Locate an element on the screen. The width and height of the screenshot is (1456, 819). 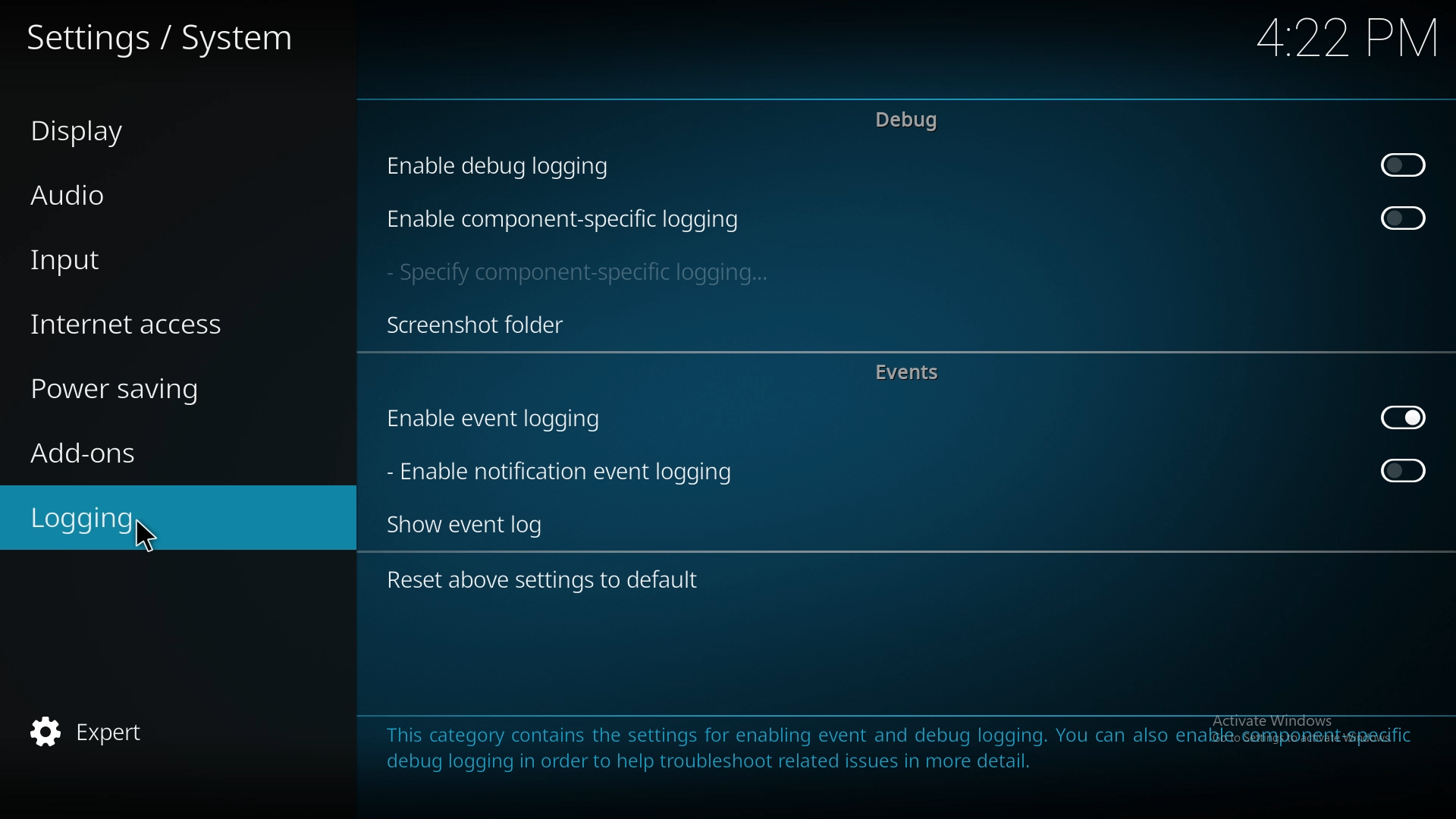
internet access is located at coordinates (167, 326).